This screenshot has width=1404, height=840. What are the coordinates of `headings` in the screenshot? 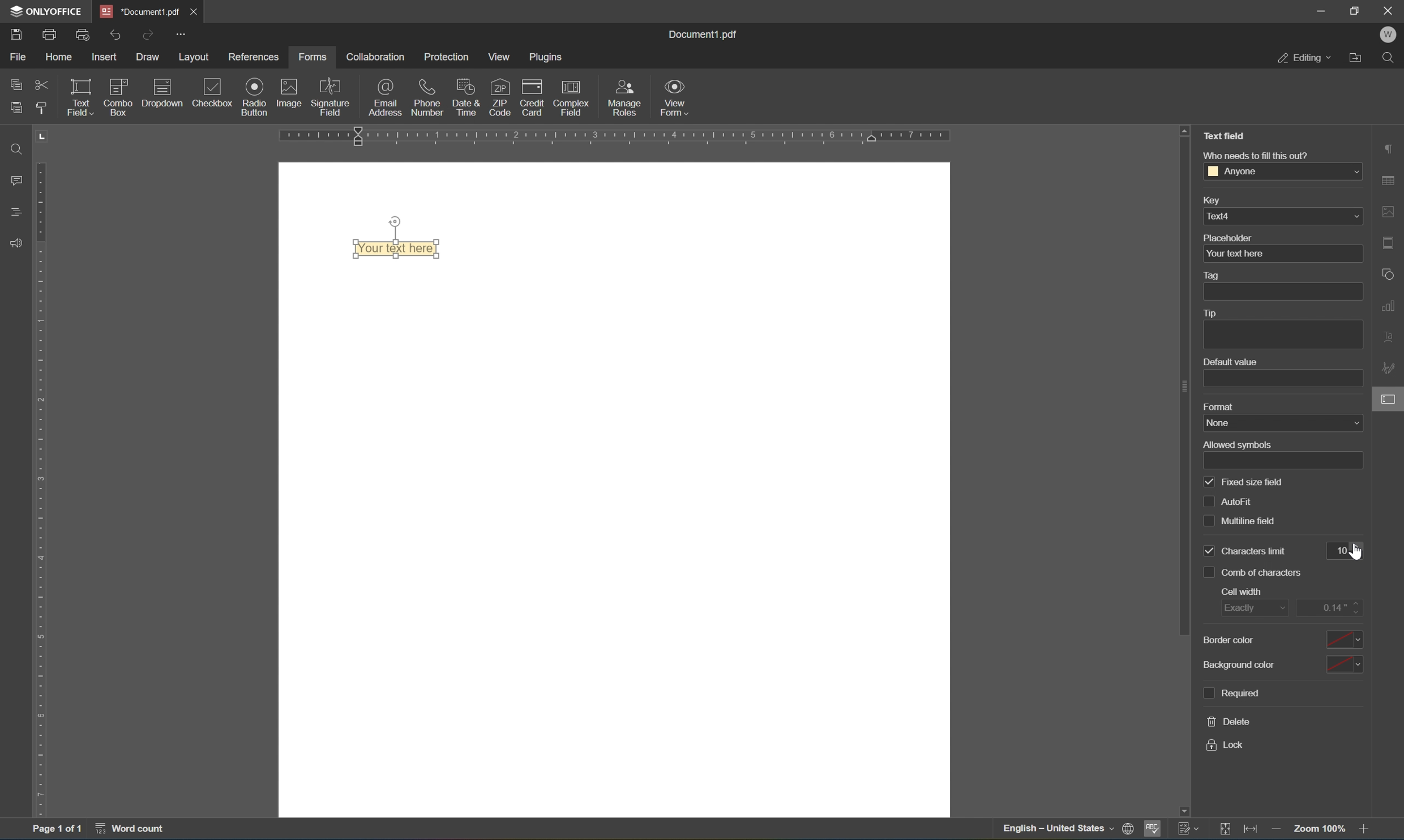 It's located at (16, 216).